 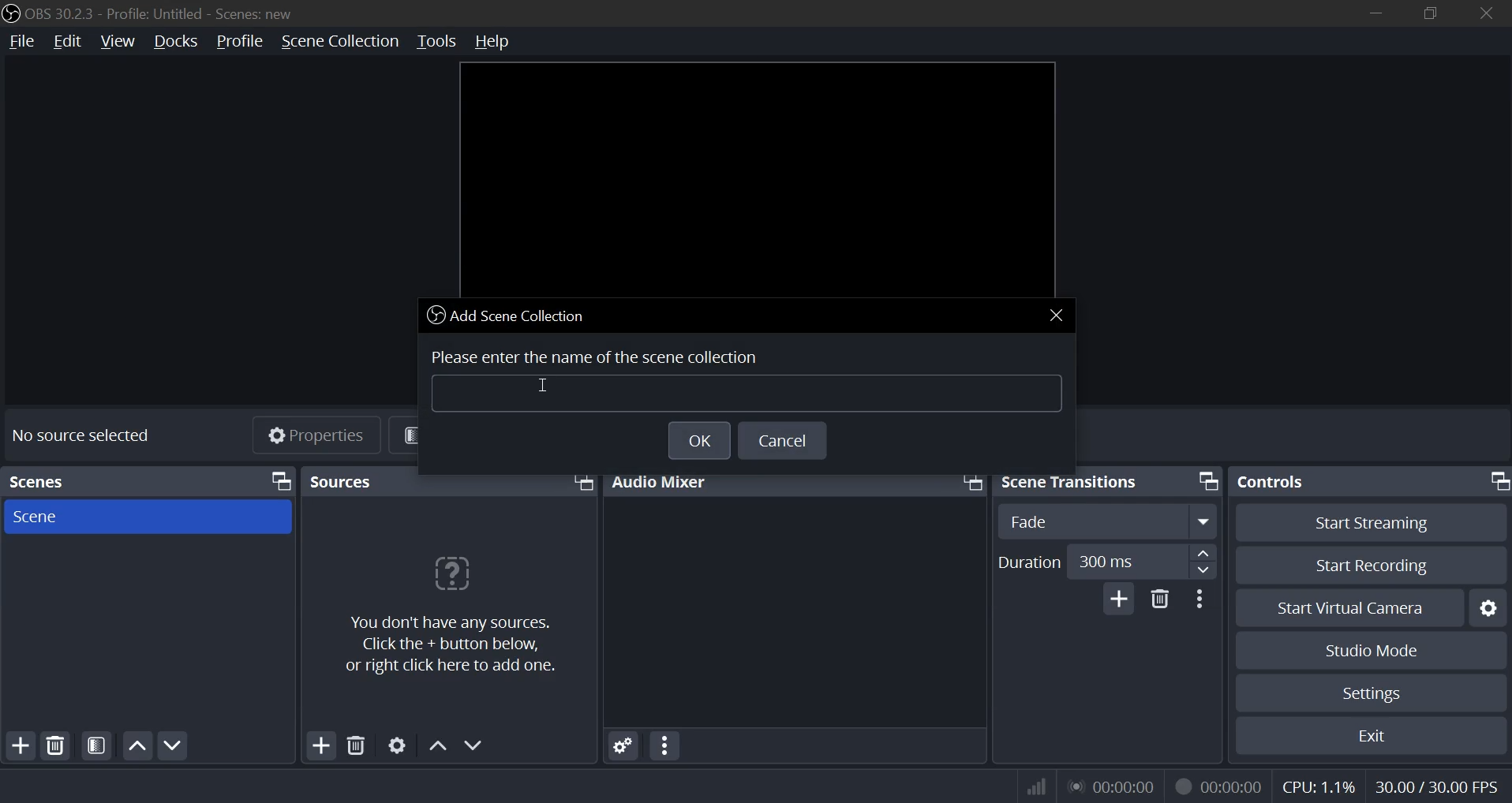 I want to click on settings, so click(x=619, y=745).